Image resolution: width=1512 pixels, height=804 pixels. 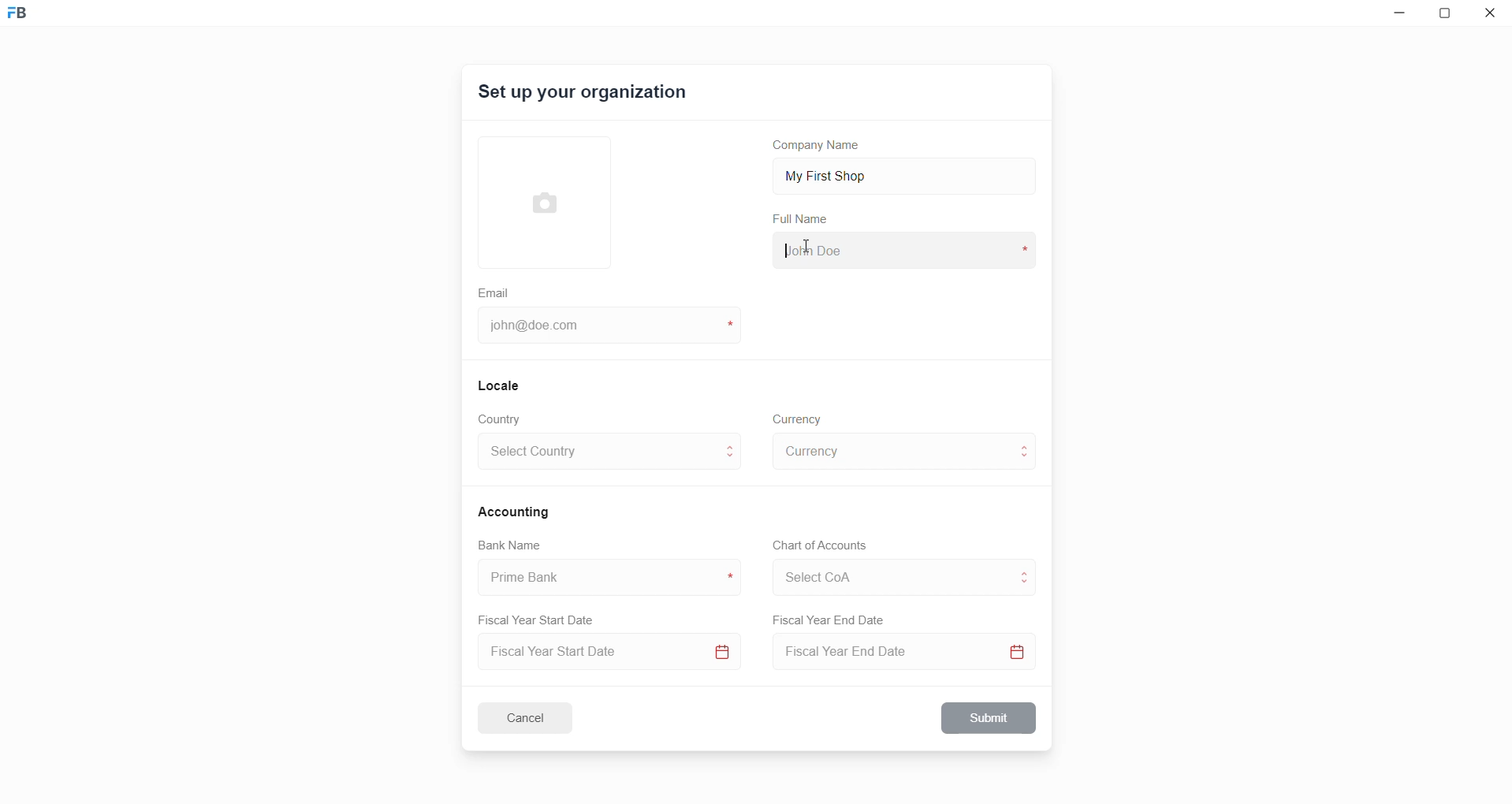 What do you see at coordinates (603, 578) in the screenshot?
I see `bank name input box` at bounding box center [603, 578].